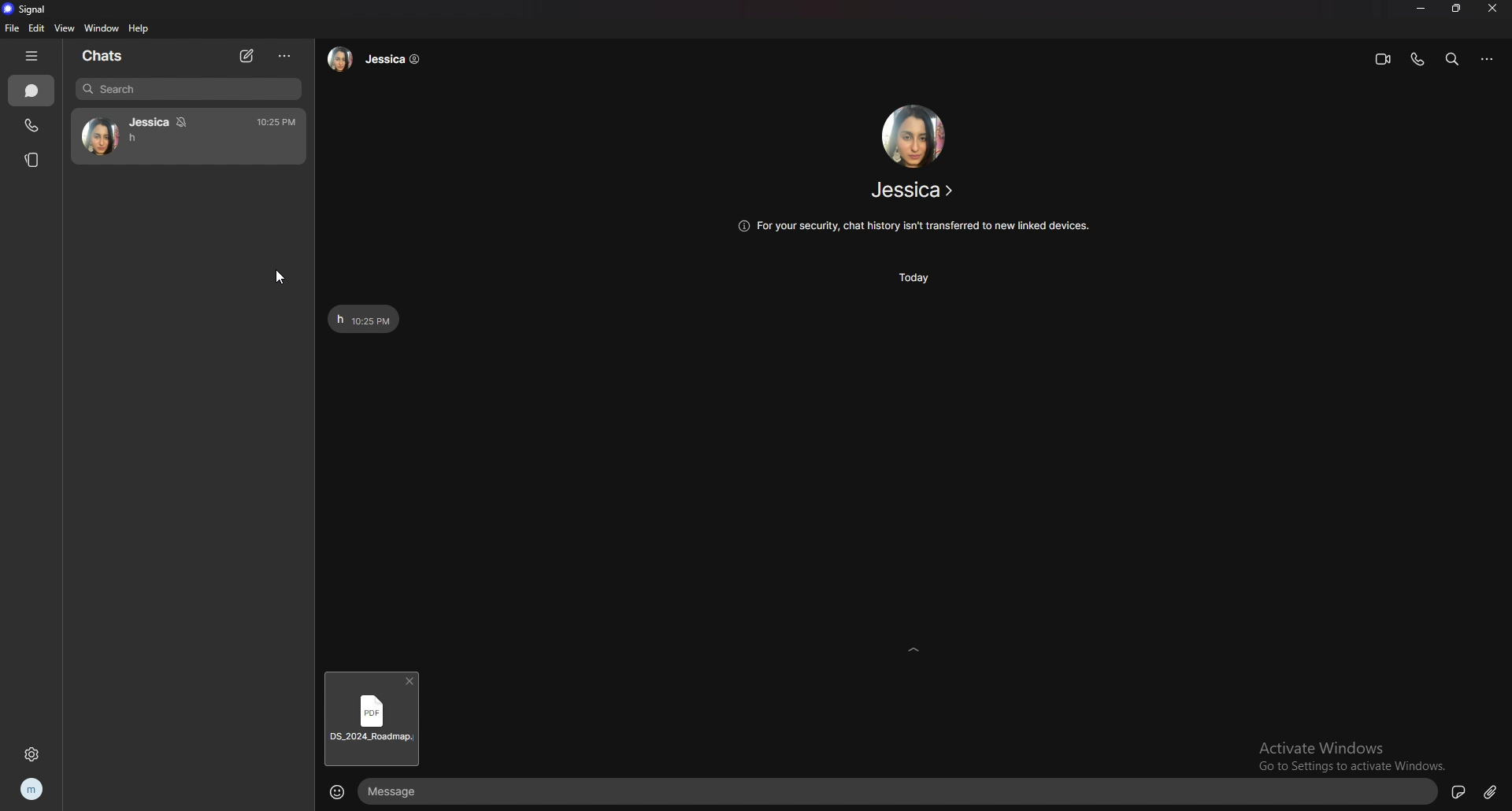  What do you see at coordinates (379, 58) in the screenshot?
I see `contact` at bounding box center [379, 58].